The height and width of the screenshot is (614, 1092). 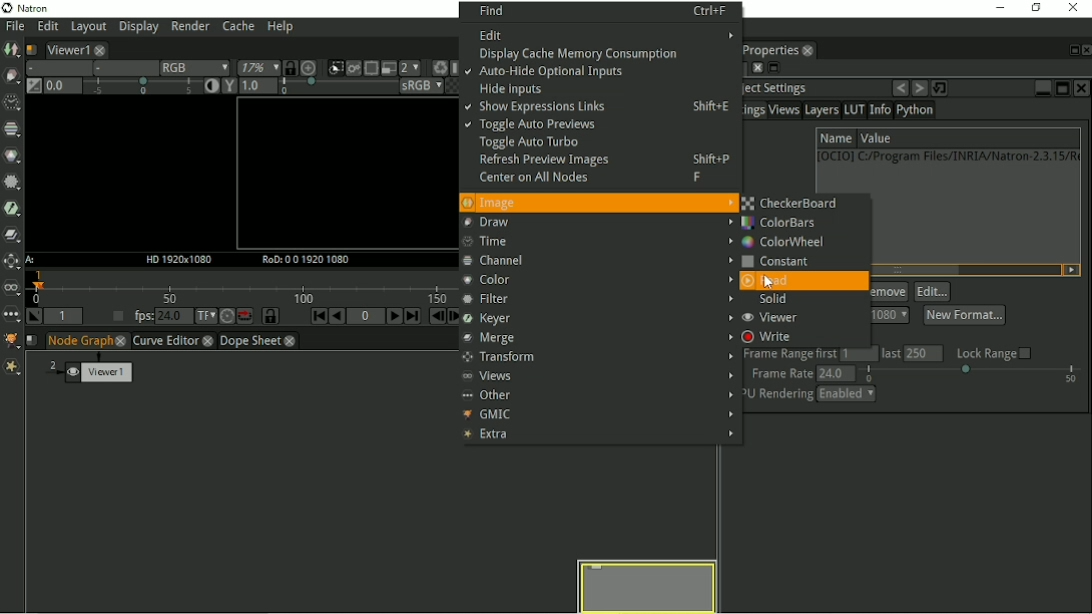 What do you see at coordinates (174, 259) in the screenshot?
I see `HD` at bounding box center [174, 259].